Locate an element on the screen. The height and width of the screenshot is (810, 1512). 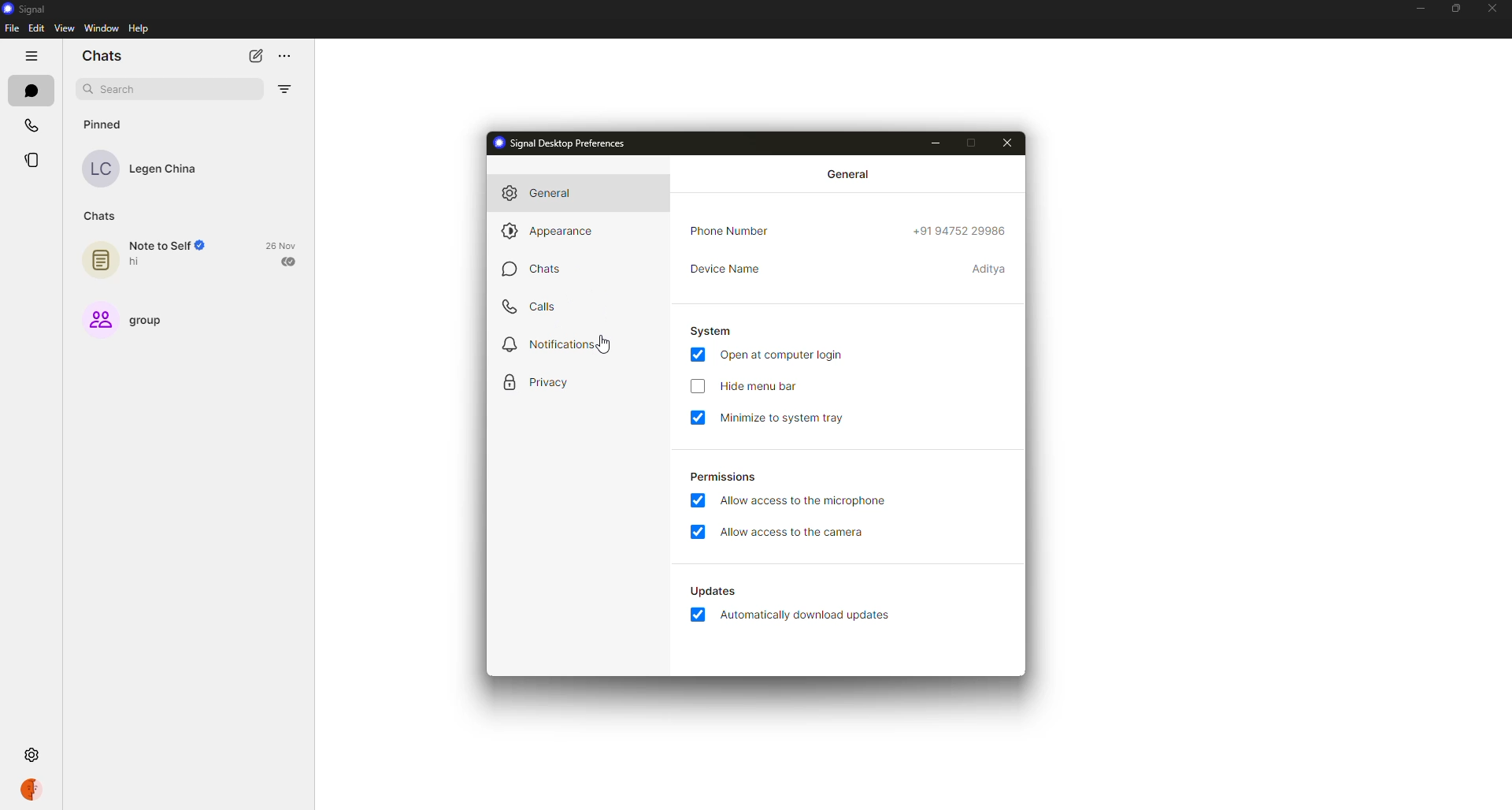
contact is located at coordinates (151, 166).